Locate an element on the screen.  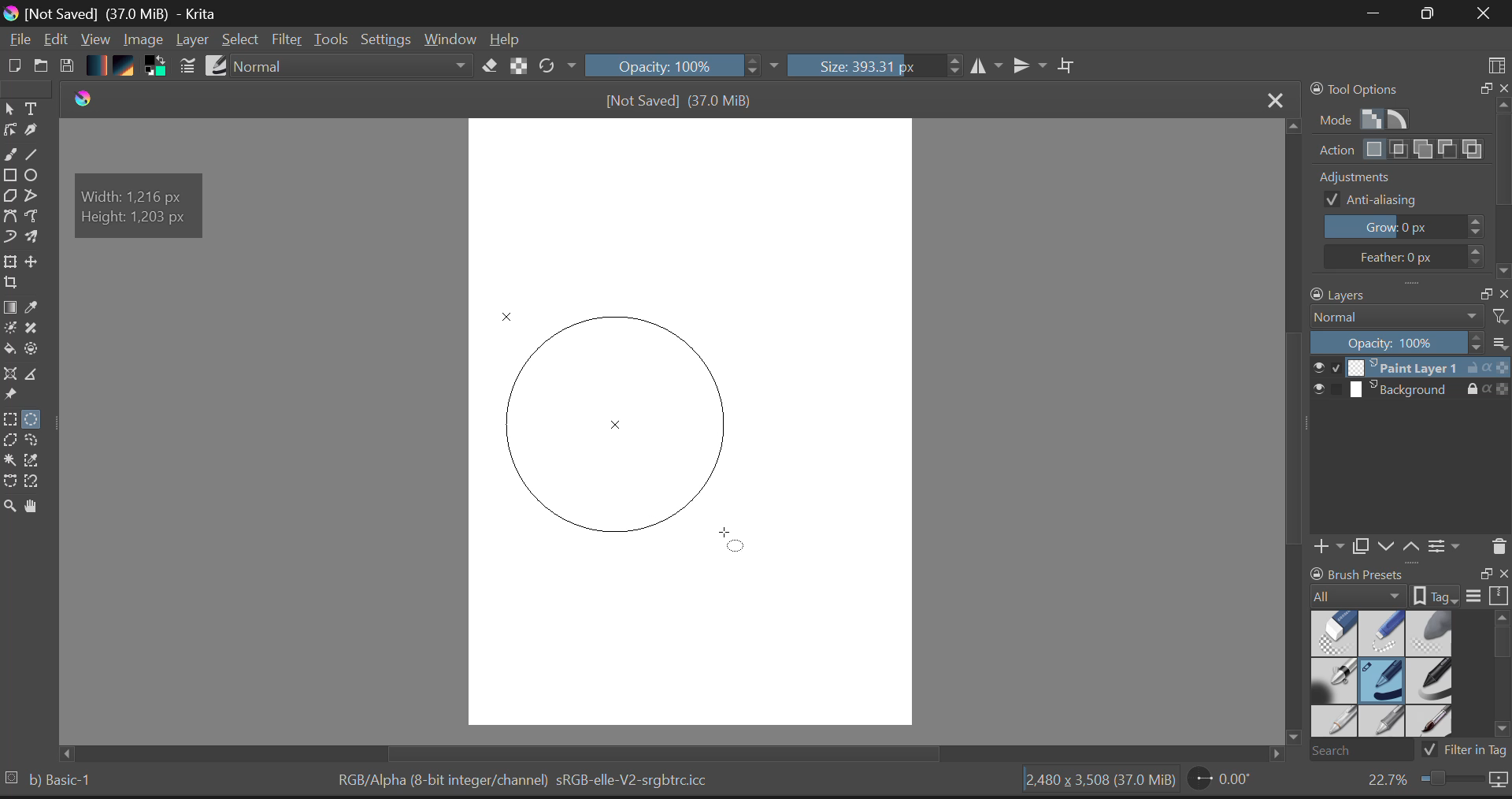
Bezier Curve is located at coordinates (10, 481).